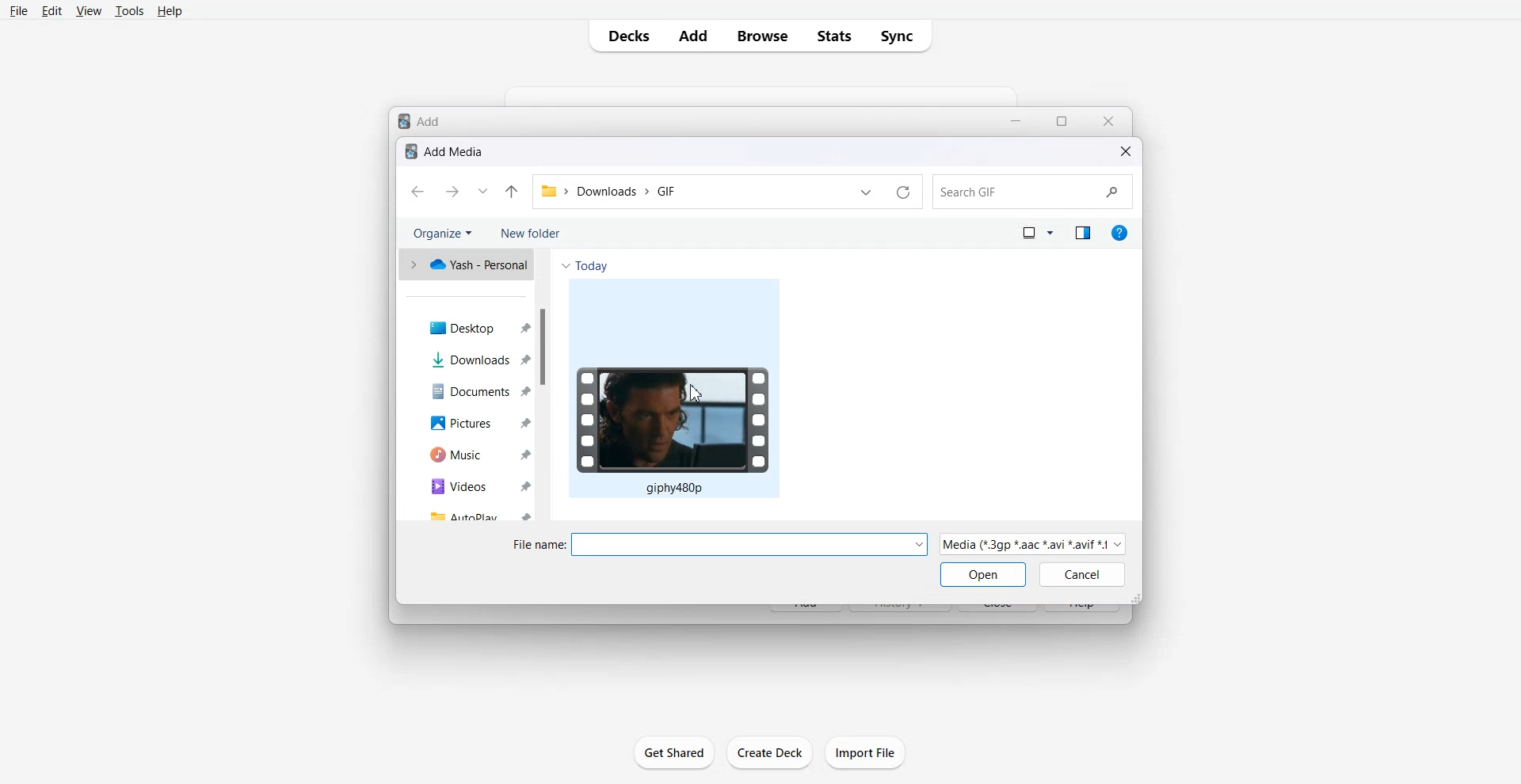 This screenshot has height=784, width=1521. Describe the element at coordinates (1038, 234) in the screenshot. I see `Change your View` at that location.